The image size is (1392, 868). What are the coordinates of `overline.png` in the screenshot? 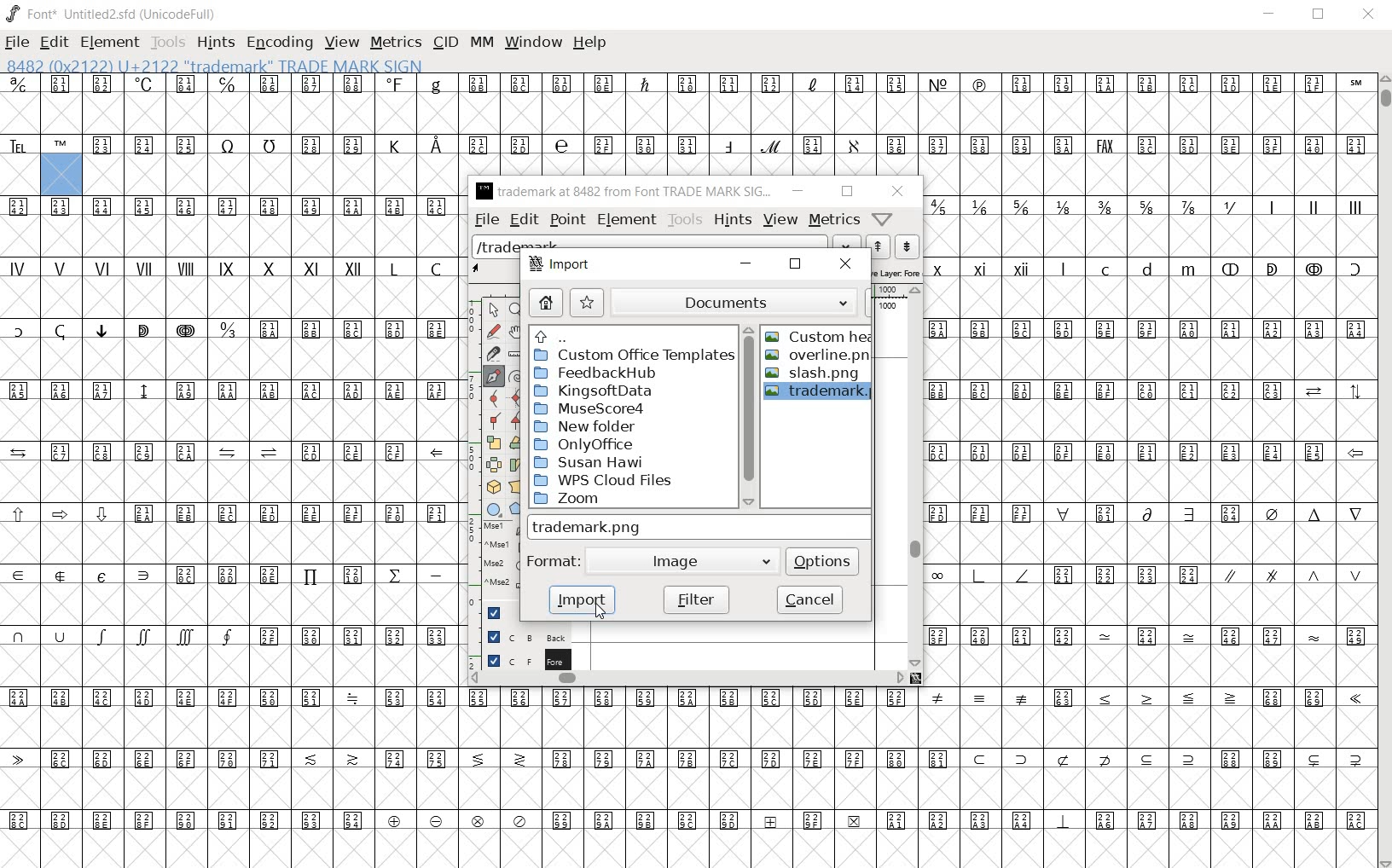 It's located at (819, 356).